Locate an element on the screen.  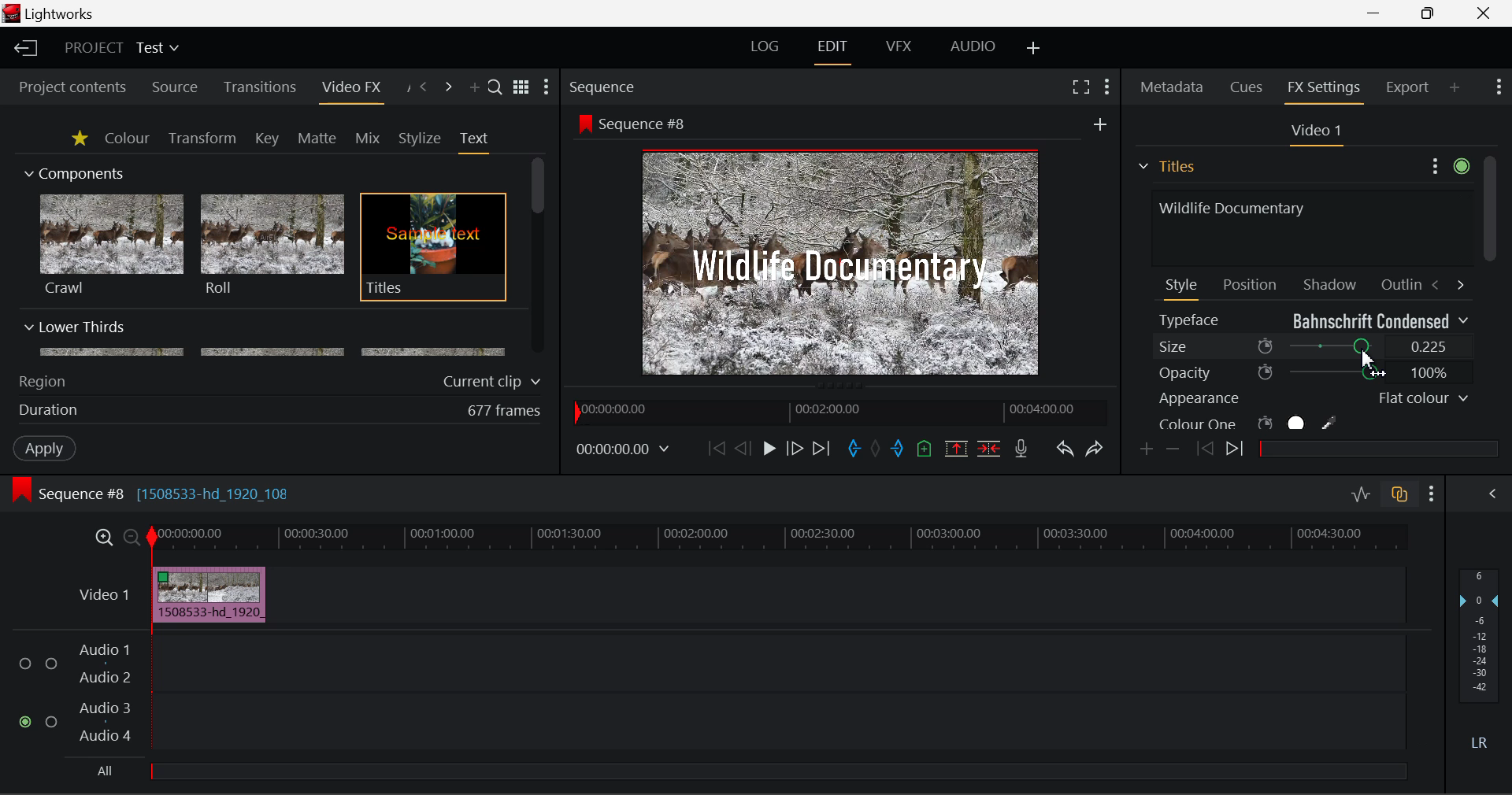
Cues is located at coordinates (1248, 87).